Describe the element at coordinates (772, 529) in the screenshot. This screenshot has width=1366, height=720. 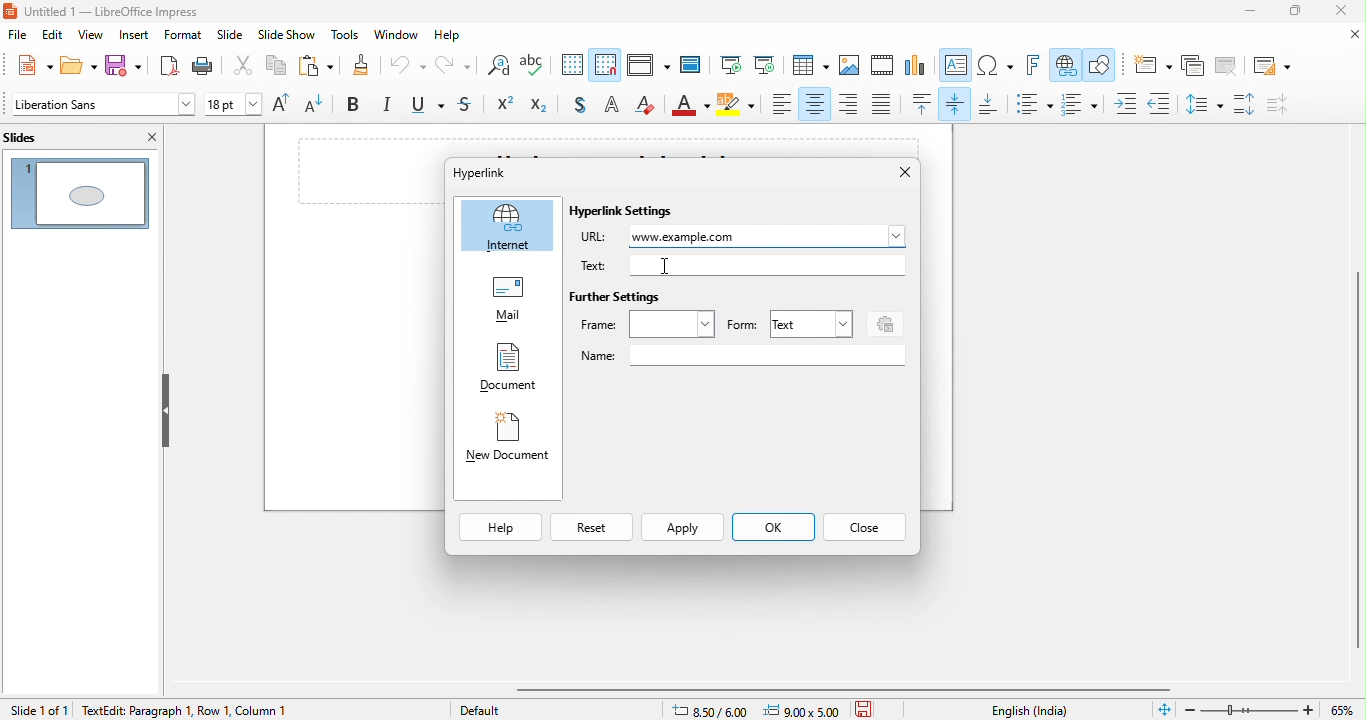
I see `ok` at that location.